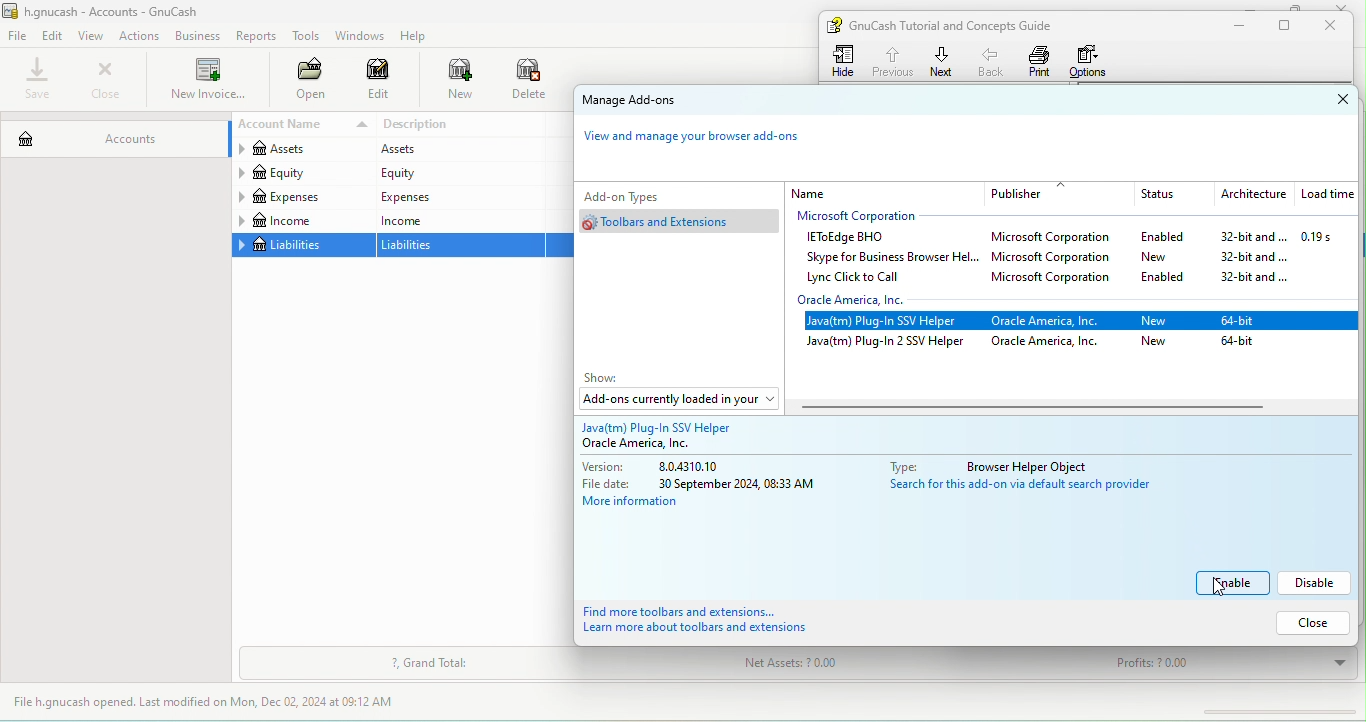 This screenshot has height=722, width=1366. What do you see at coordinates (1215, 590) in the screenshot?
I see `cursor movement` at bounding box center [1215, 590].